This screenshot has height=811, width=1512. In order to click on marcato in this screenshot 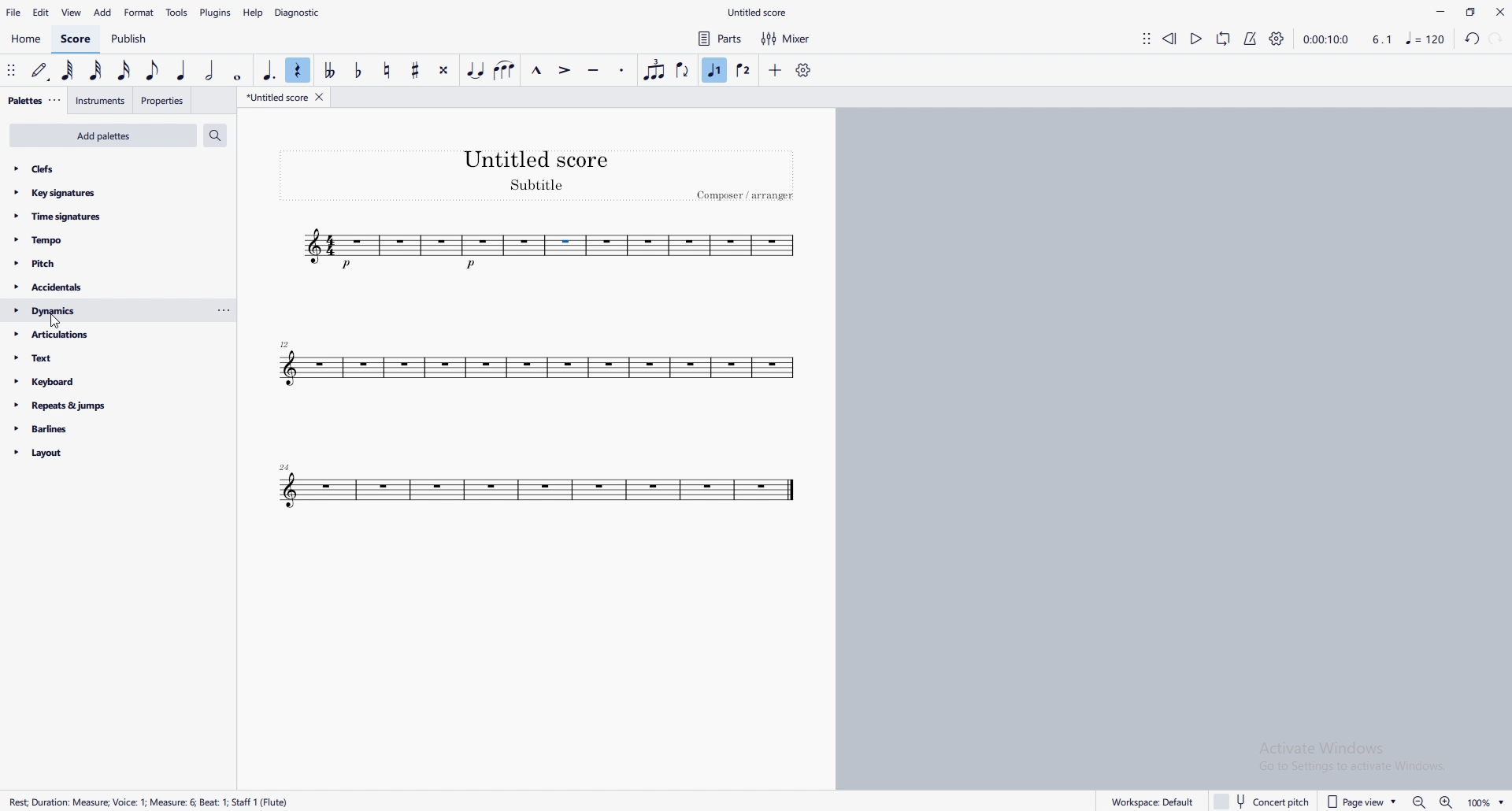, I will do `click(538, 69)`.